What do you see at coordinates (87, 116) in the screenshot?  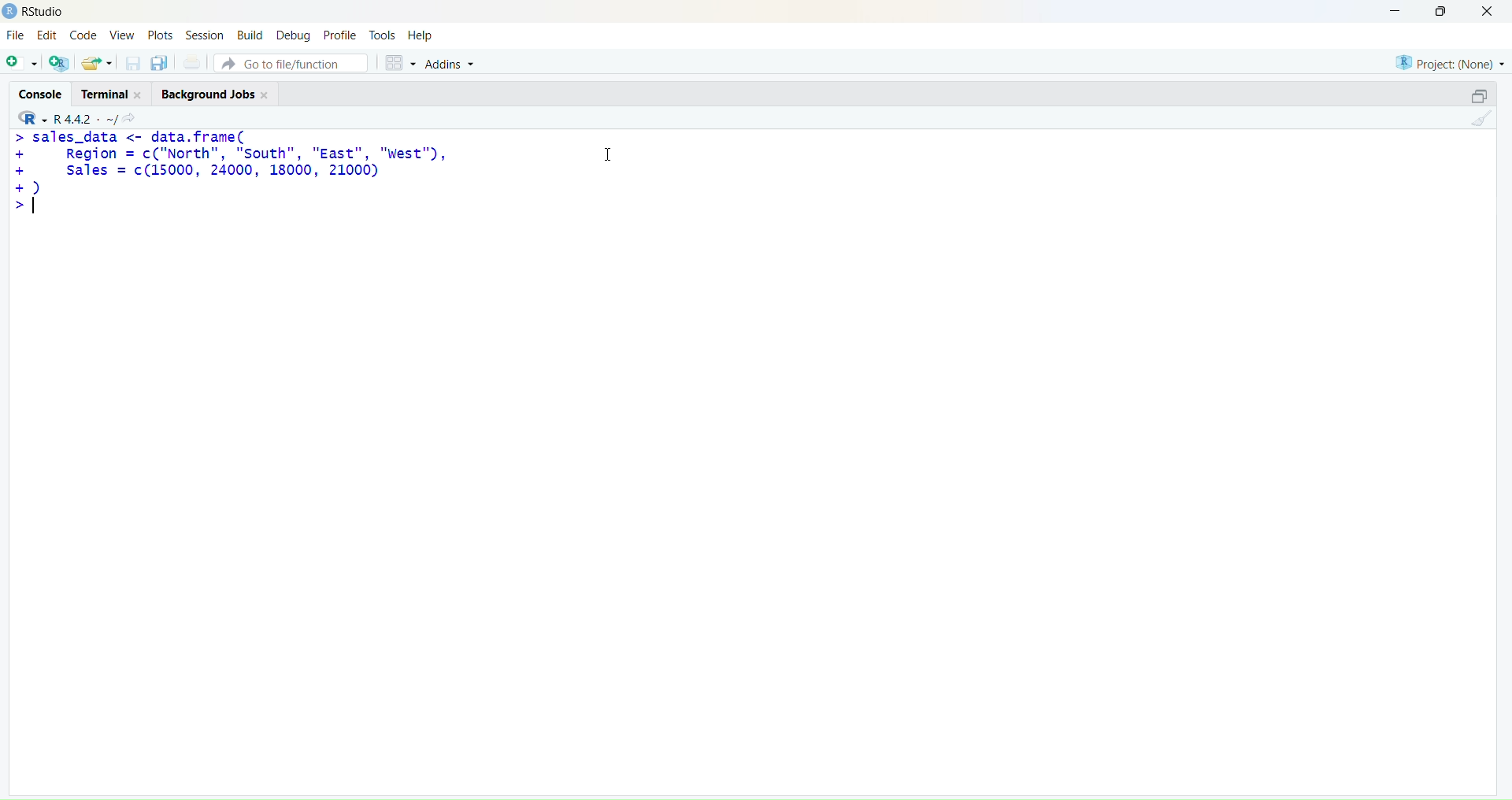 I see `- R442 - ~/` at bounding box center [87, 116].